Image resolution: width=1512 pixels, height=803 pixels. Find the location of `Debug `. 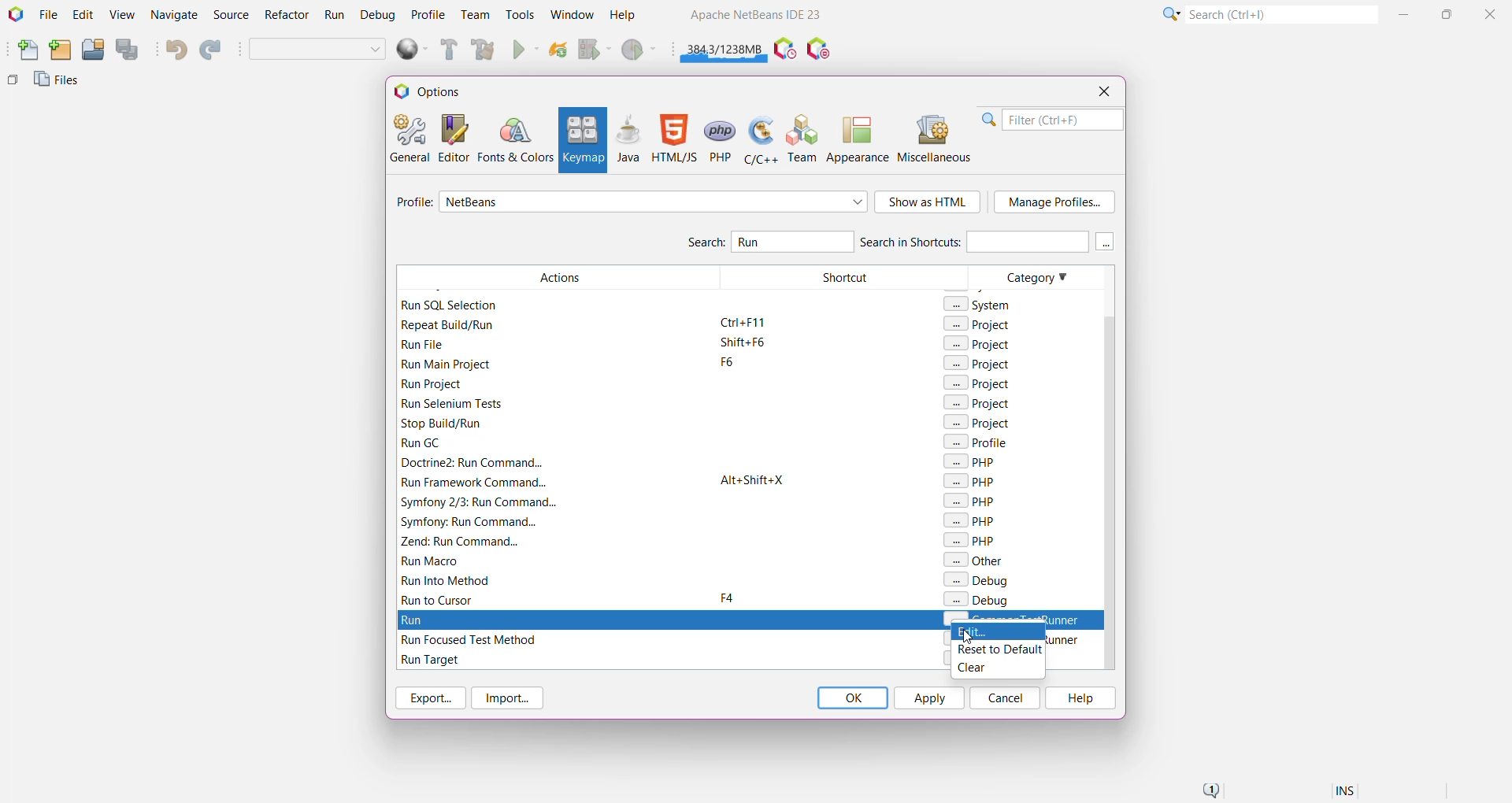

Debug  is located at coordinates (376, 16).